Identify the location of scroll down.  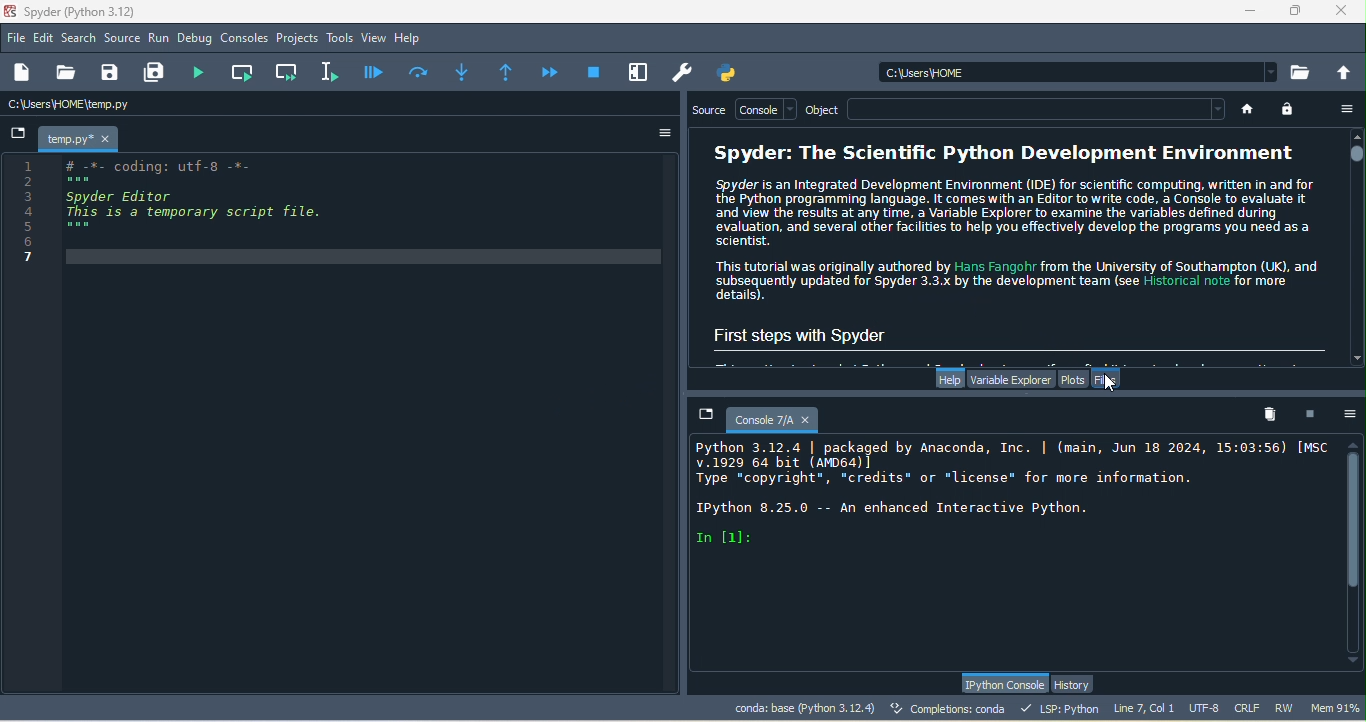
(1353, 663).